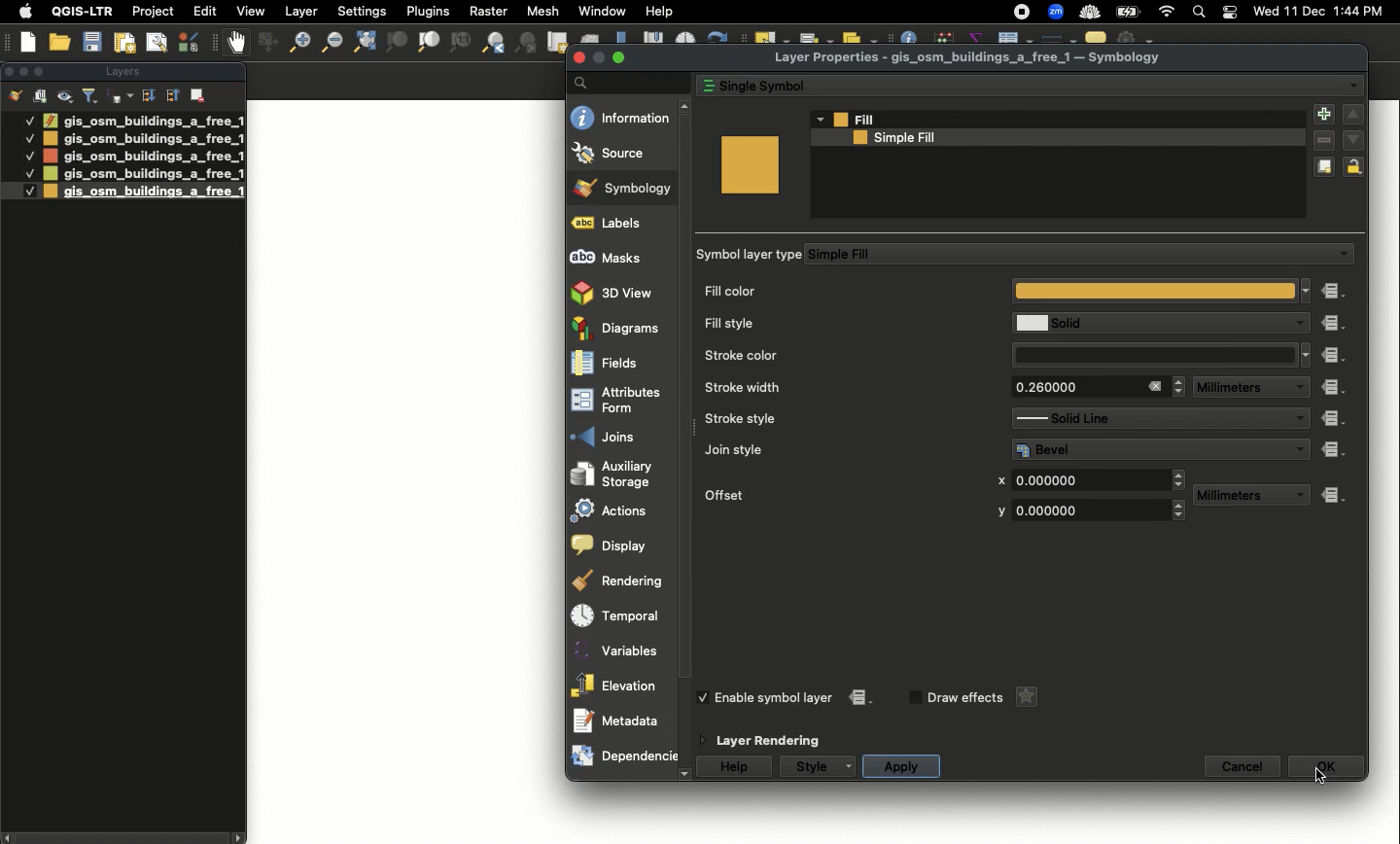  What do you see at coordinates (999, 293) in the screenshot?
I see `Fill color` at bounding box center [999, 293].